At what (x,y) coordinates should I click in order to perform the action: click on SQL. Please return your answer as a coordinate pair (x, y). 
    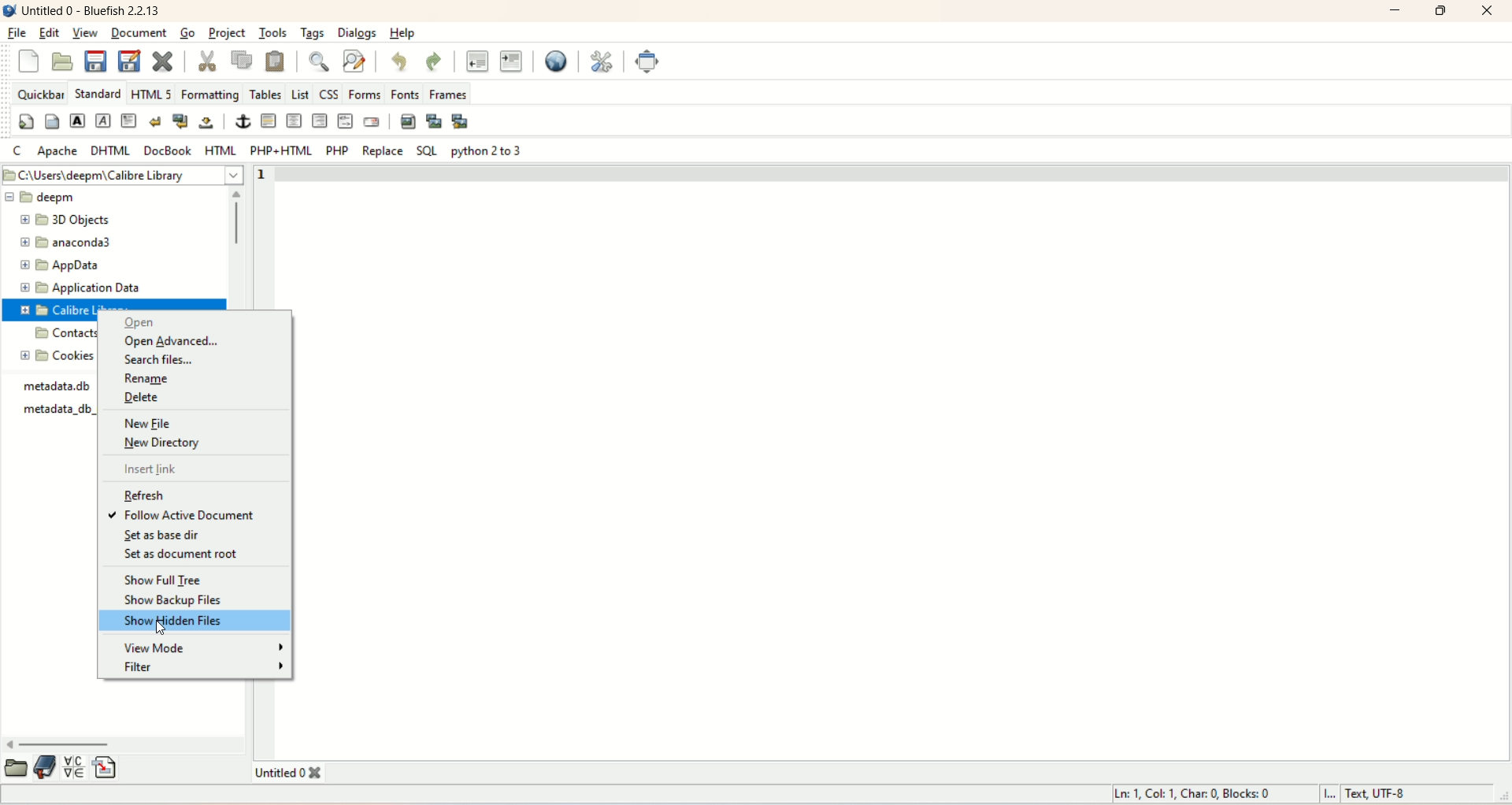
    Looking at the image, I should click on (424, 150).